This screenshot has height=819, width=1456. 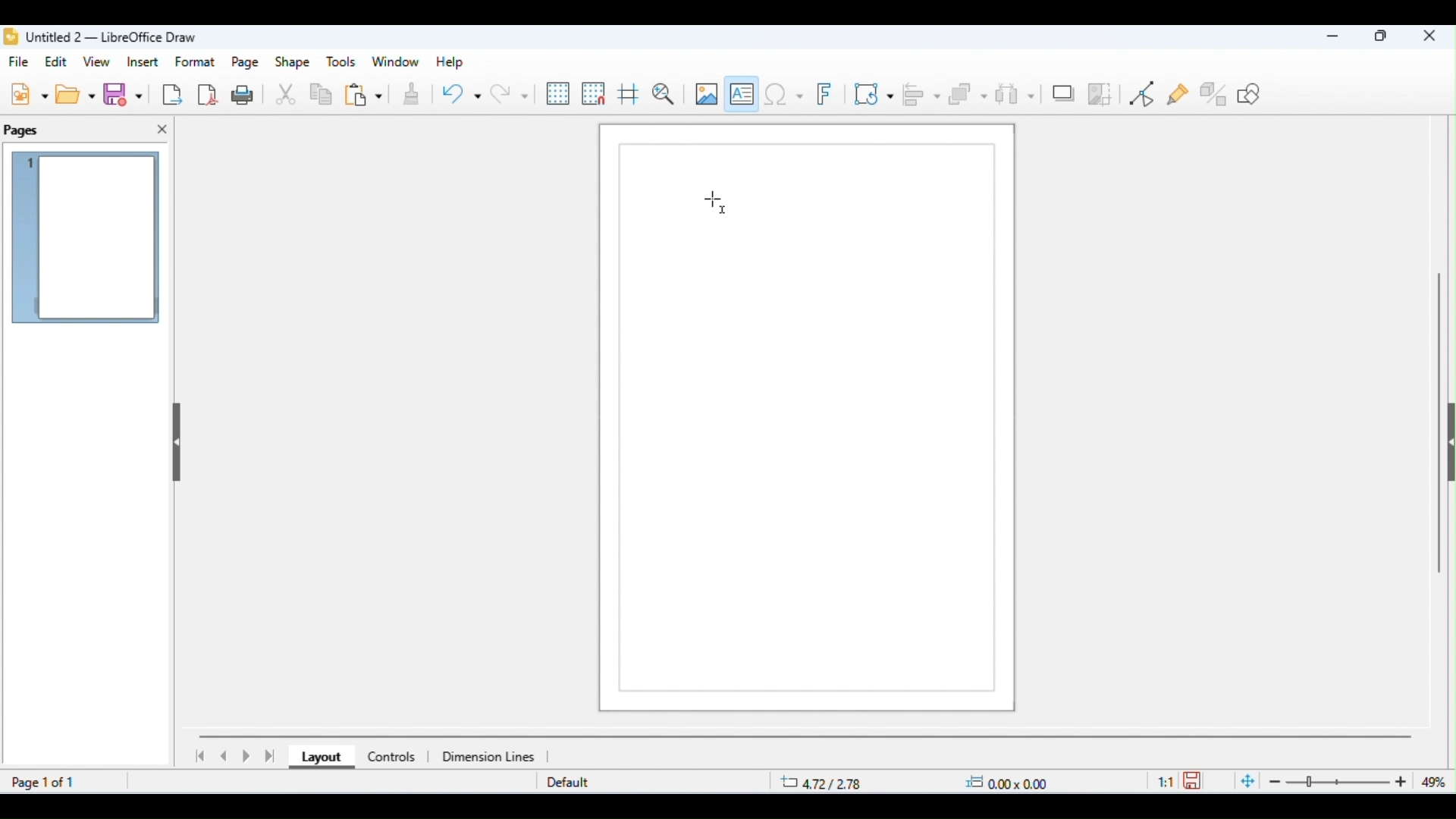 What do you see at coordinates (664, 94) in the screenshot?
I see `zoom and pan` at bounding box center [664, 94].